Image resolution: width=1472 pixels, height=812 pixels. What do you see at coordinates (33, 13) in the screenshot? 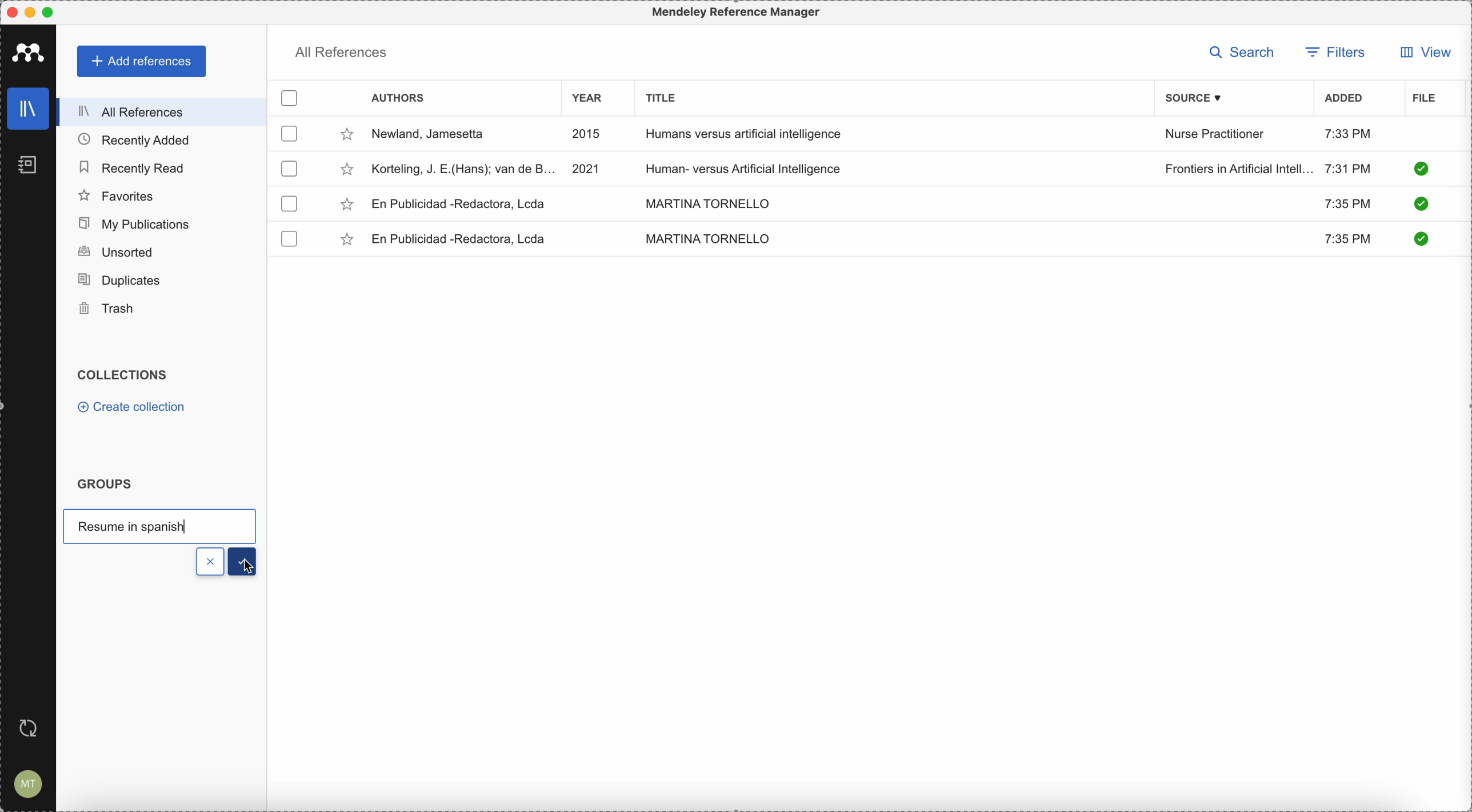
I see `minimize` at bounding box center [33, 13].